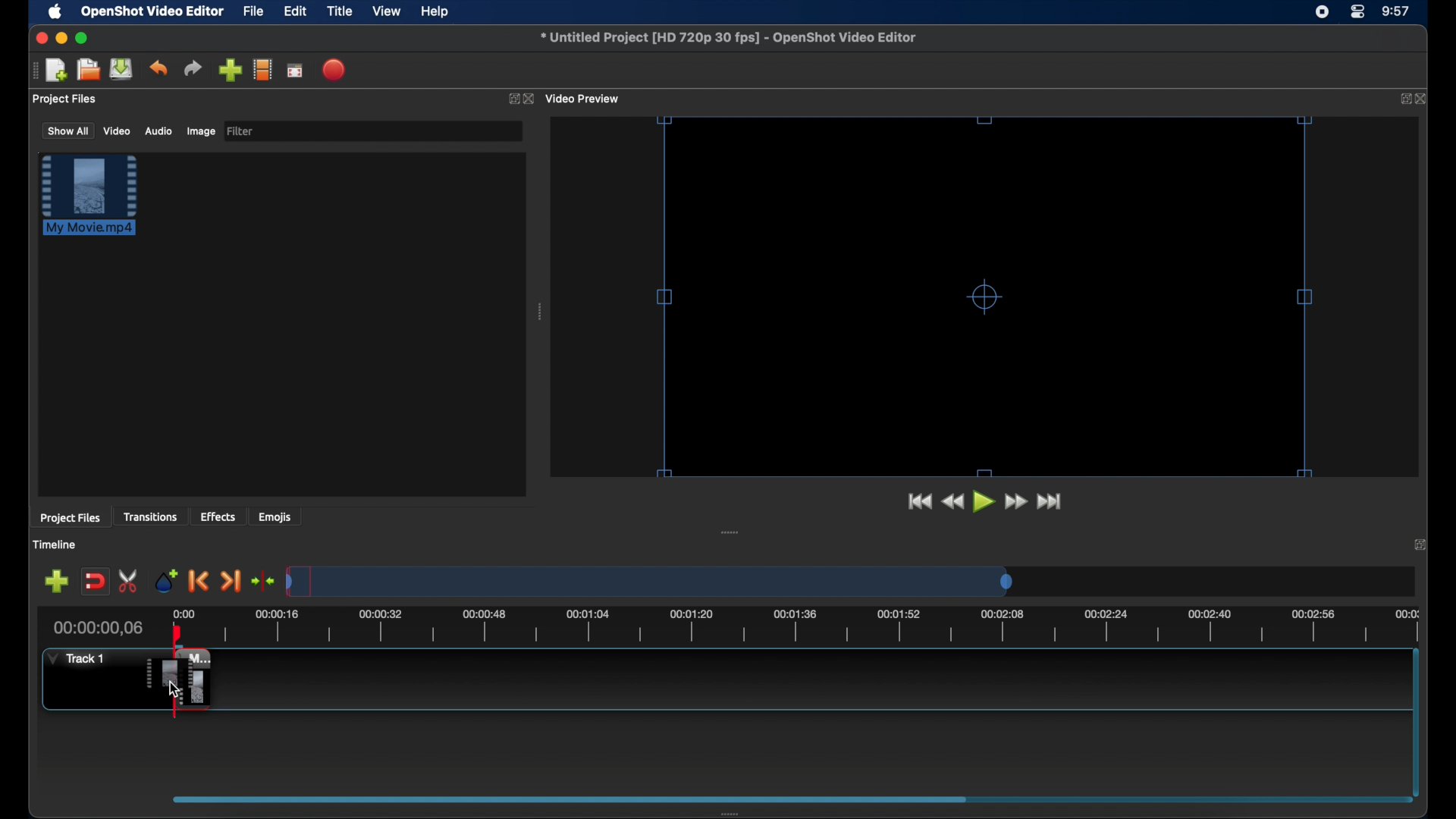 The image size is (1456, 819). Describe the element at coordinates (129, 582) in the screenshot. I see `enable razor` at that location.